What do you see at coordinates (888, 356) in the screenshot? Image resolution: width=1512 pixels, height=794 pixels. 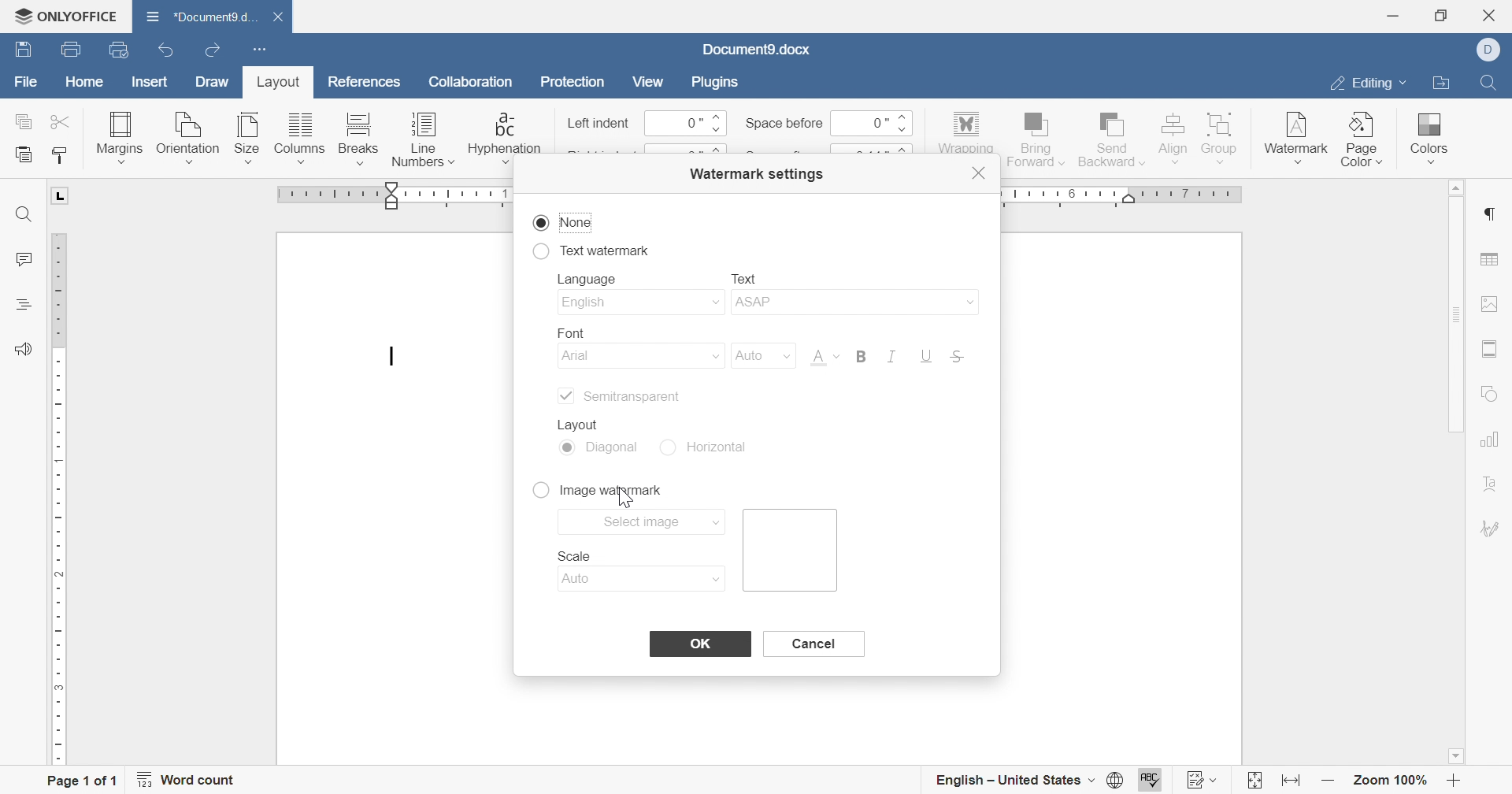 I see `italic` at bounding box center [888, 356].